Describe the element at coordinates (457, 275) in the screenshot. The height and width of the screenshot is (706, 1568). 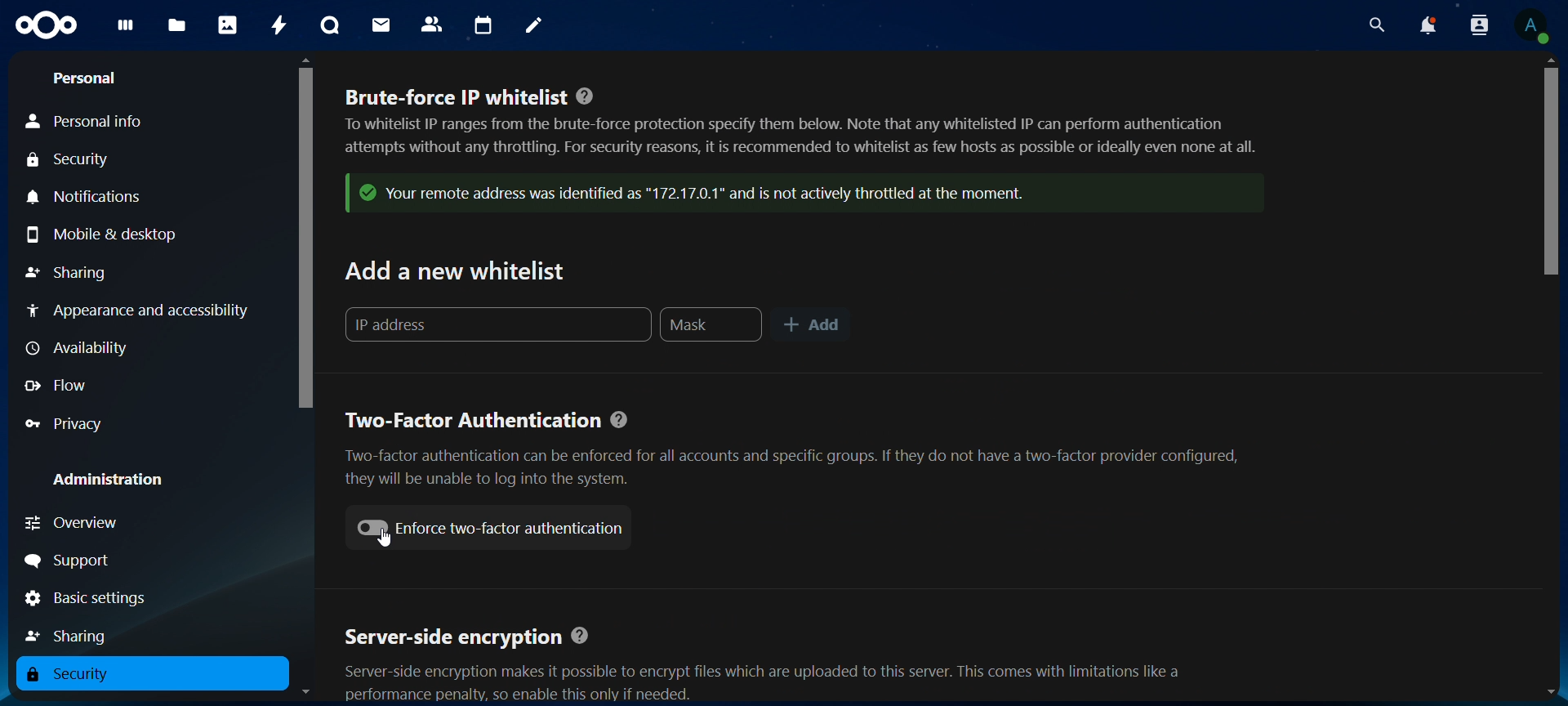
I see `add a new whitelist` at that location.